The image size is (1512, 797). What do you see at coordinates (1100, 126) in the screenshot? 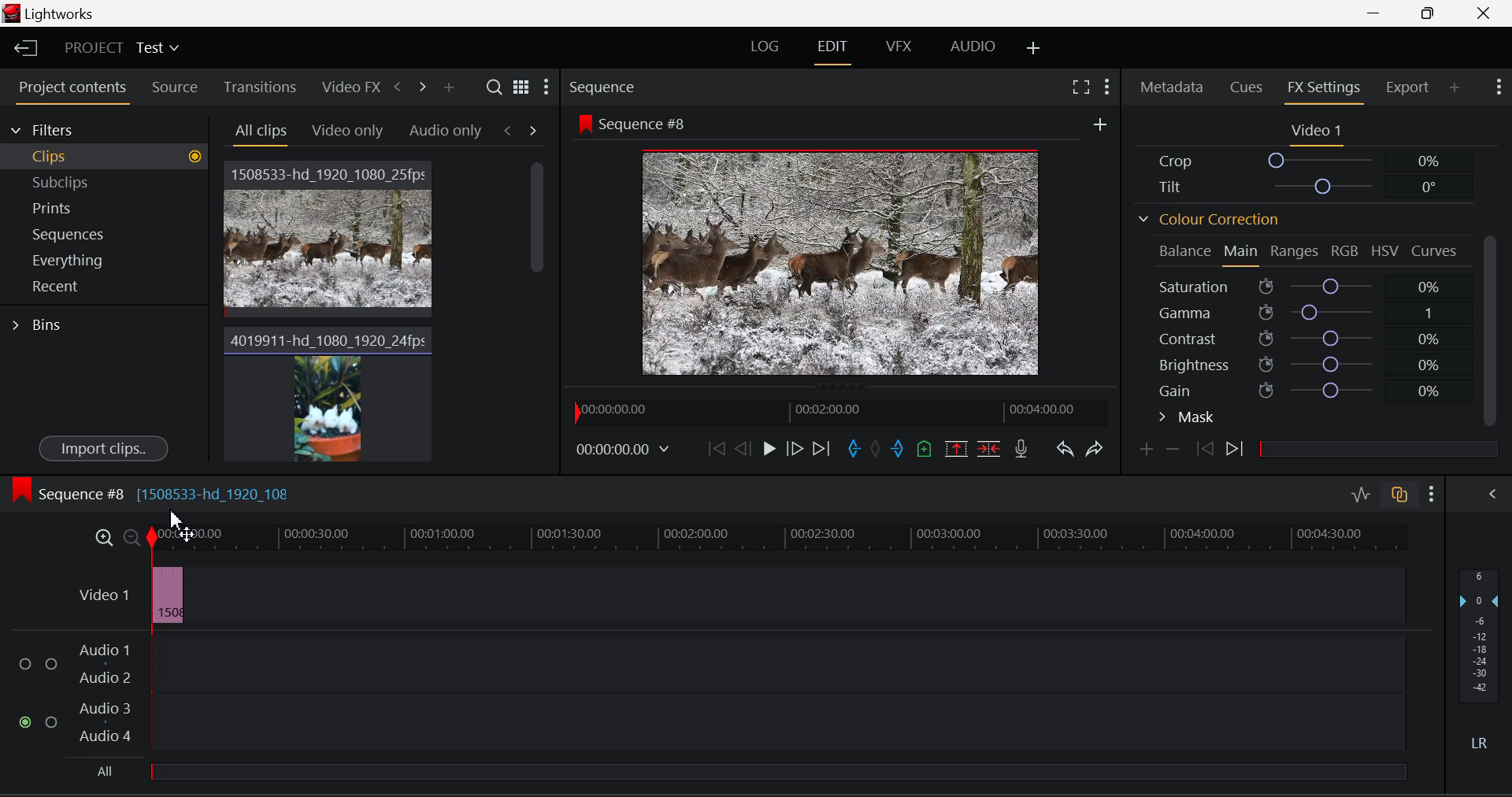
I see `More Options` at bounding box center [1100, 126].